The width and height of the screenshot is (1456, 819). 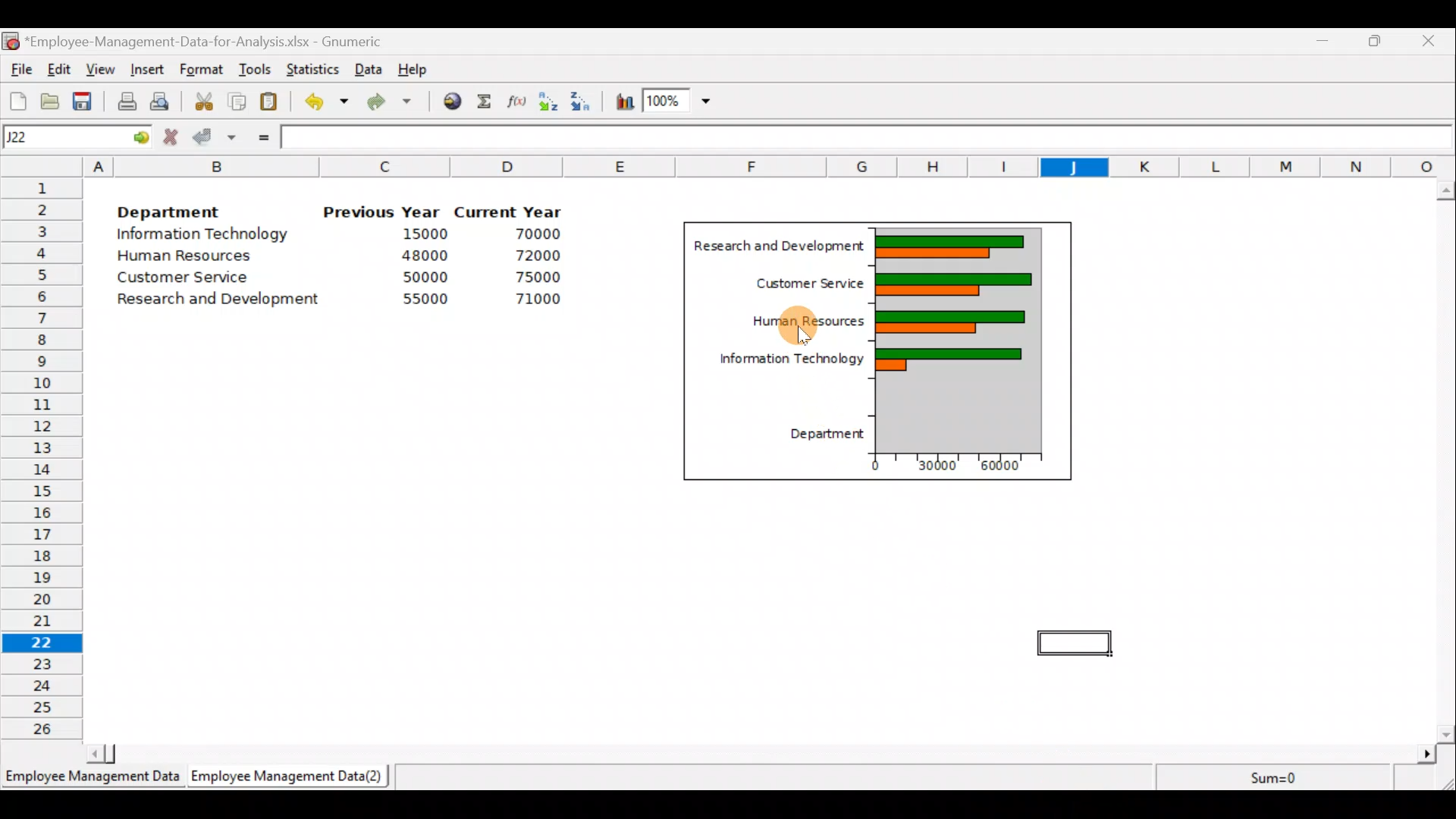 What do you see at coordinates (383, 211) in the screenshot?
I see `Previous Year` at bounding box center [383, 211].